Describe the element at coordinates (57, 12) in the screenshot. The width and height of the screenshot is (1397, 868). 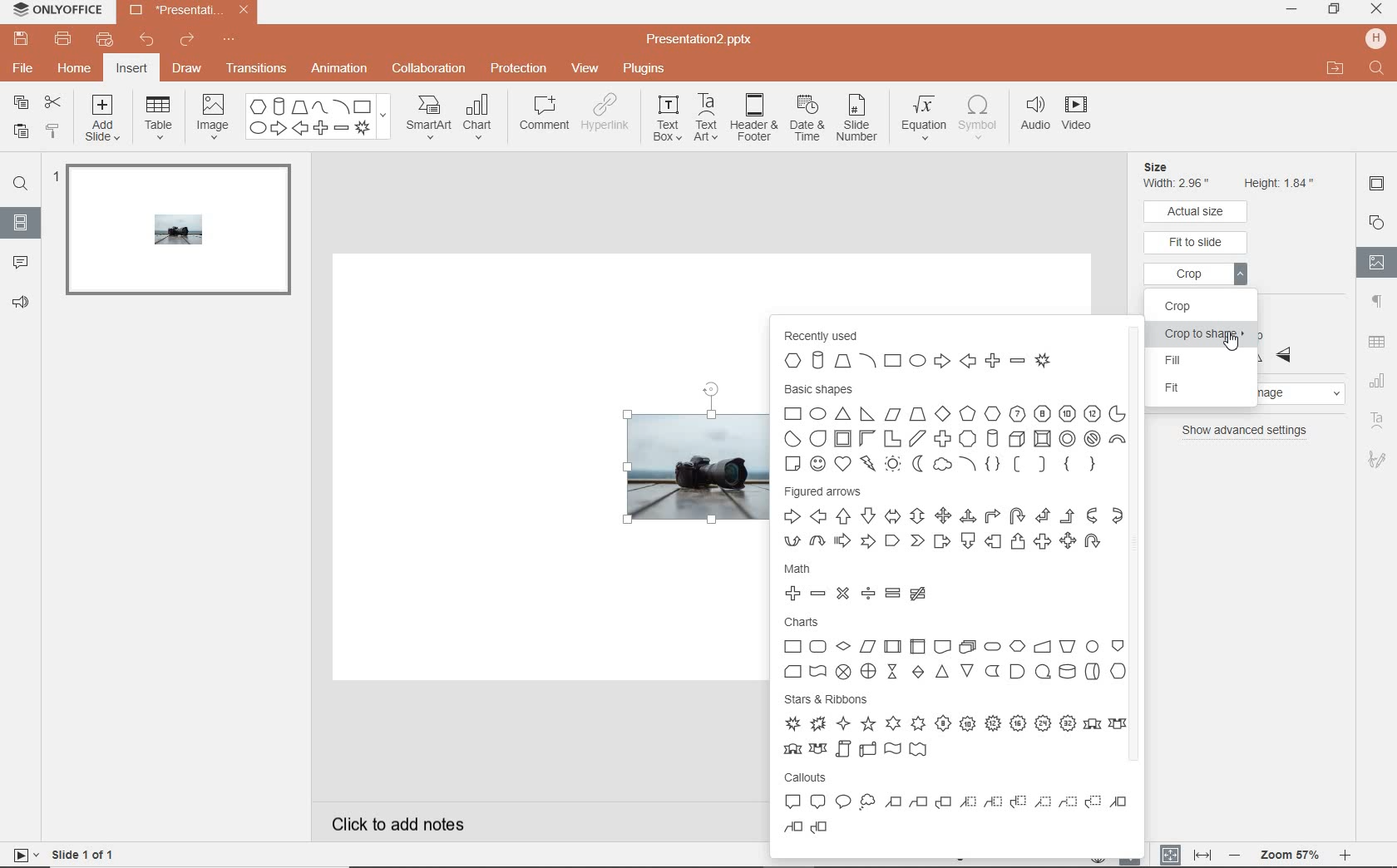
I see `ONLYOFFICE` at that location.